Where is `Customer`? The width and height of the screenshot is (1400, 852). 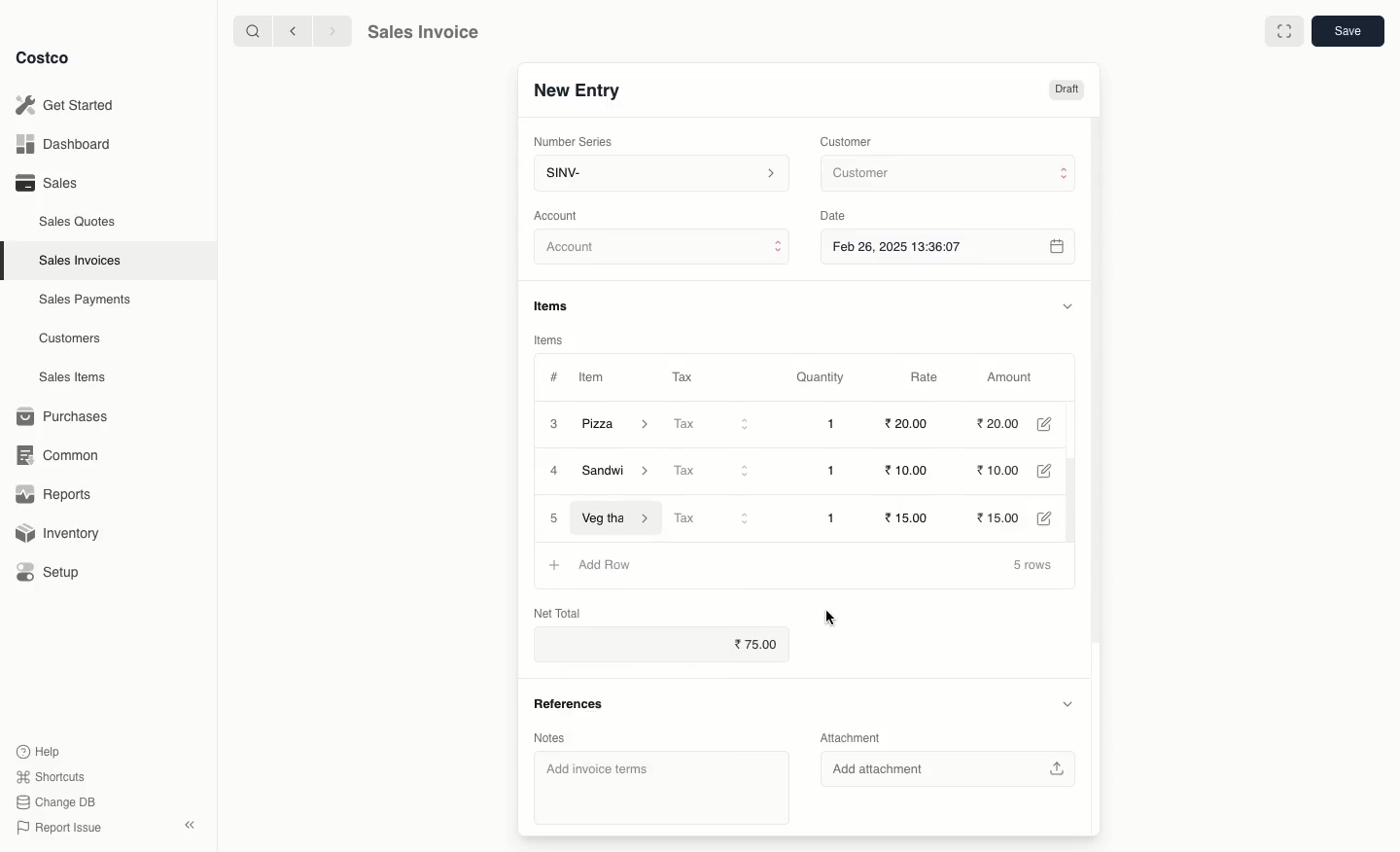 Customer is located at coordinates (946, 174).